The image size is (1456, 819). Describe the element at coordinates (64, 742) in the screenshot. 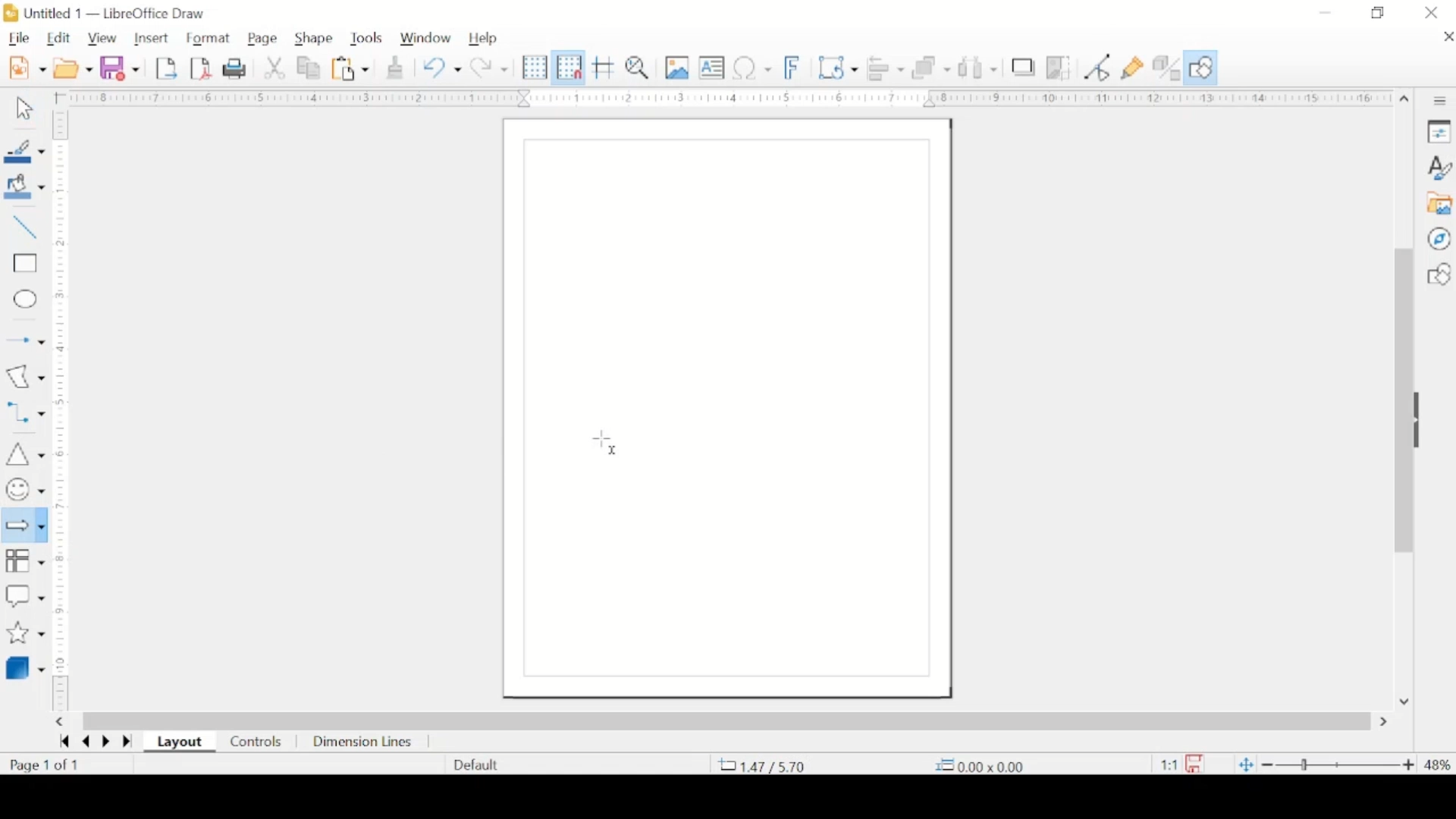

I see `first` at that location.